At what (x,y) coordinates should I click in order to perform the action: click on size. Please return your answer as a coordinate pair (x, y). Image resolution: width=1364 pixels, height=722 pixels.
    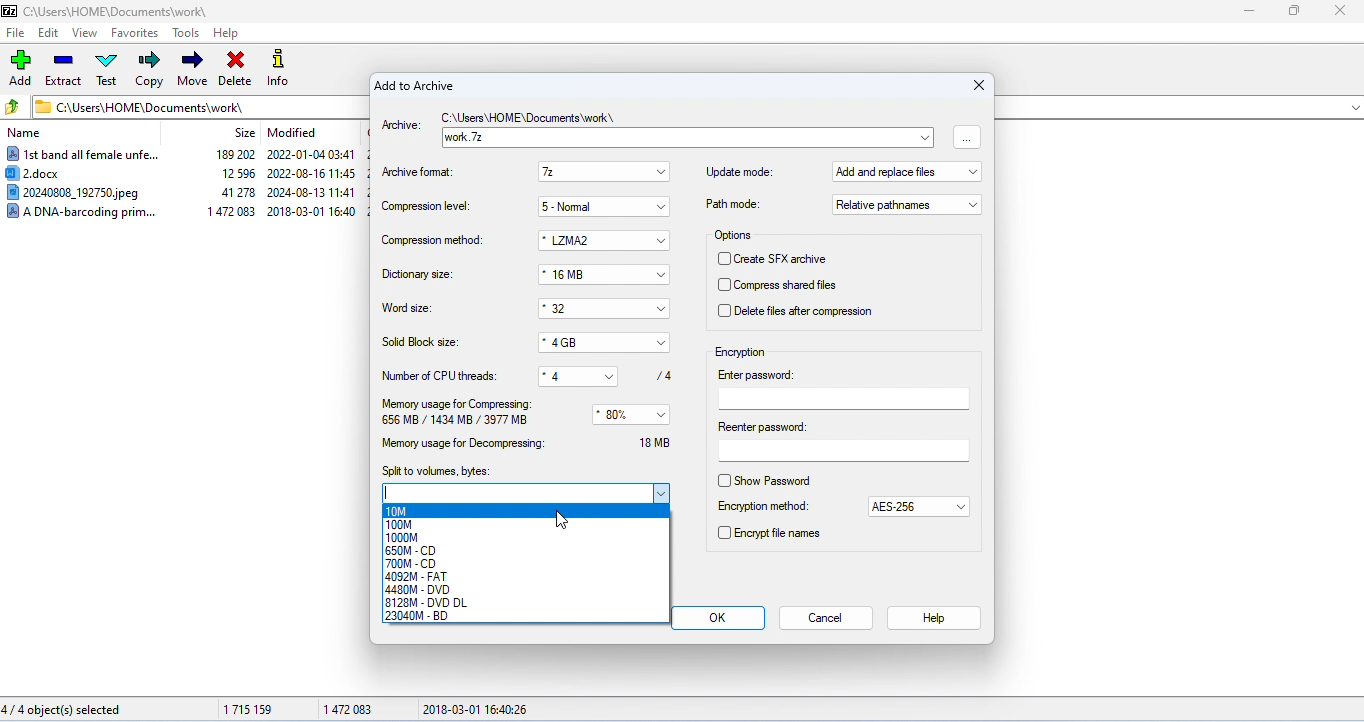
    Looking at the image, I should click on (244, 133).